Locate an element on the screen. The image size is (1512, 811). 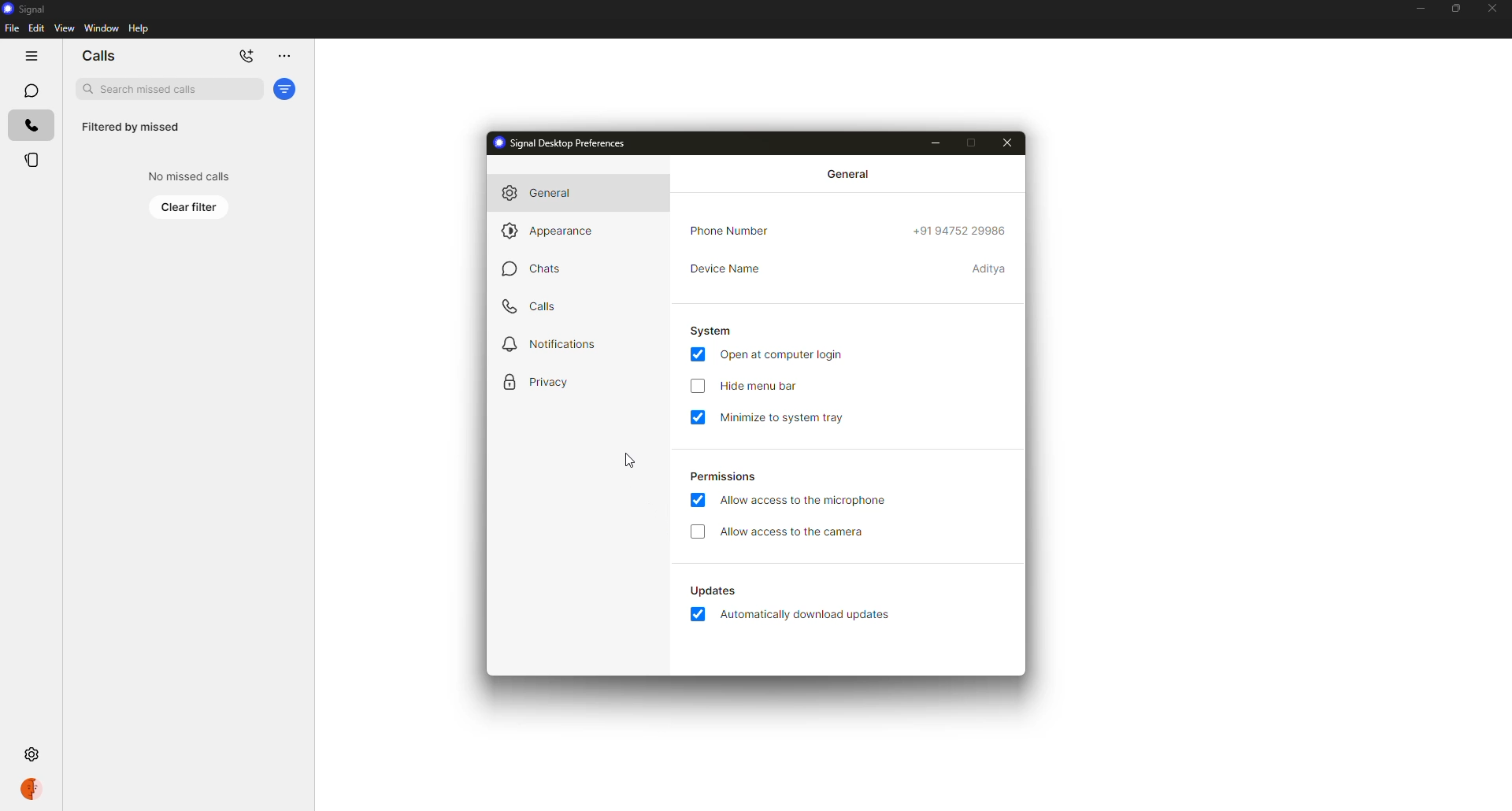
filter is located at coordinates (286, 89).